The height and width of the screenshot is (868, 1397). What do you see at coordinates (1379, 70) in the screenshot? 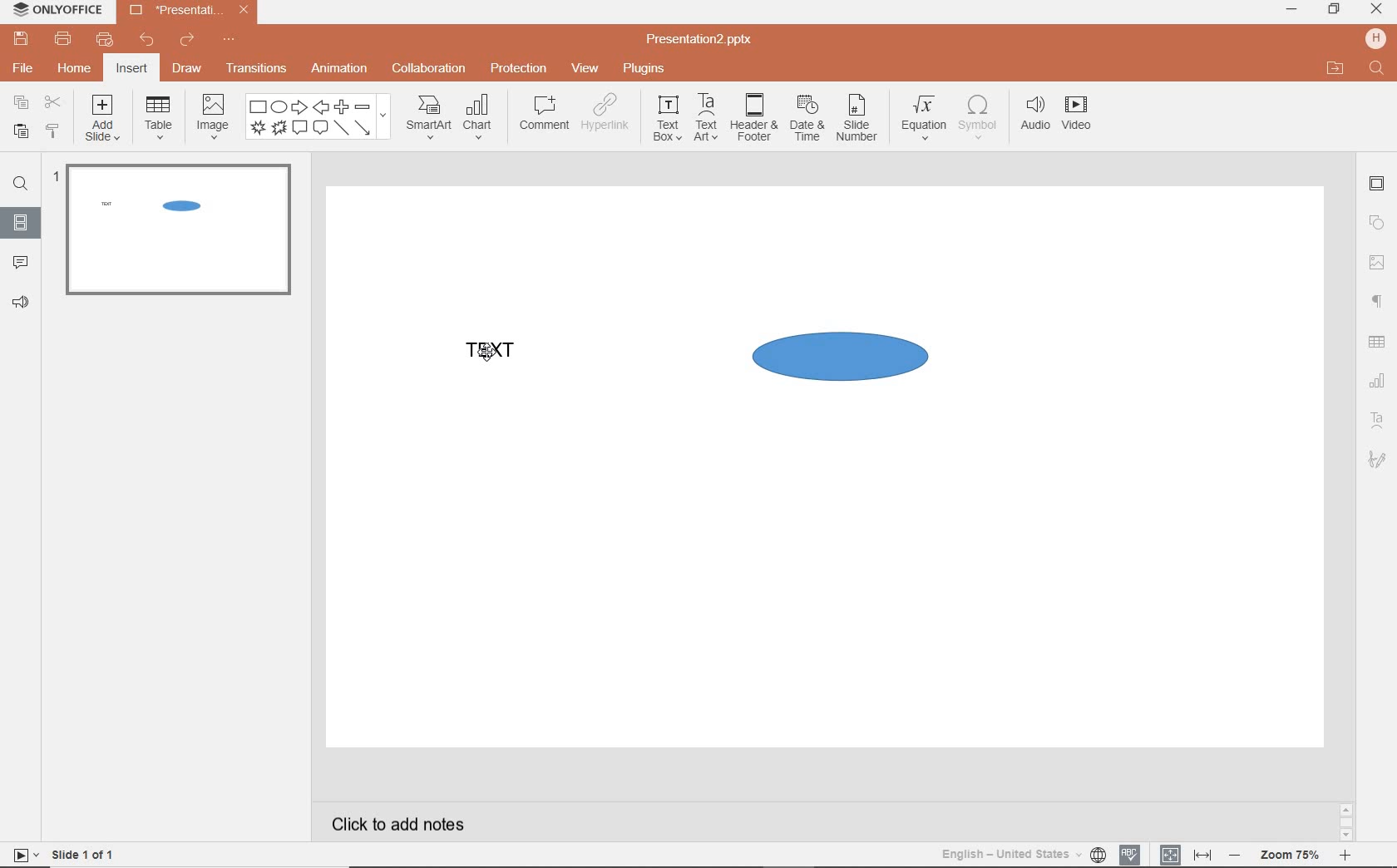
I see `FIND` at bounding box center [1379, 70].